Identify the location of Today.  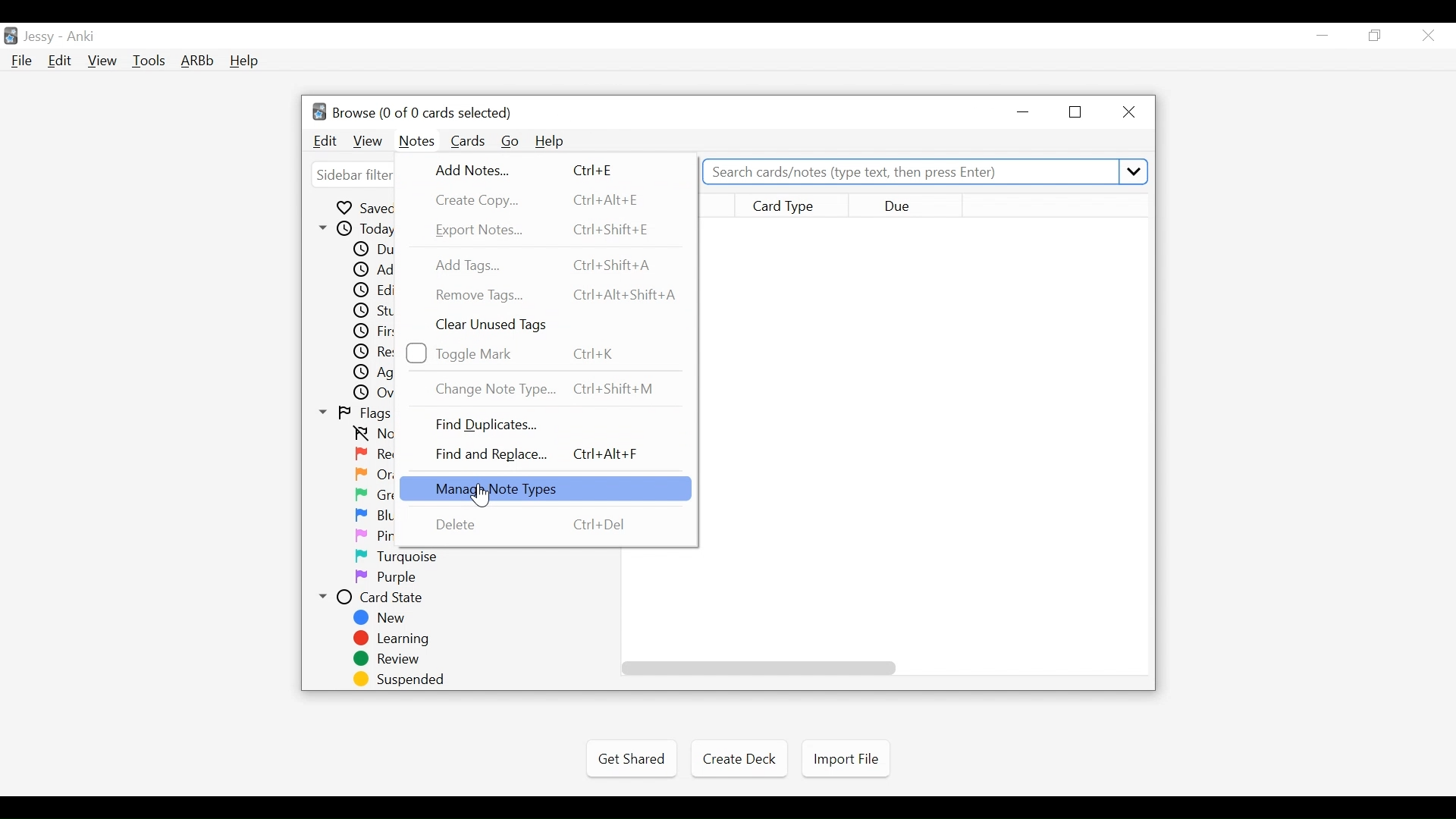
(354, 228).